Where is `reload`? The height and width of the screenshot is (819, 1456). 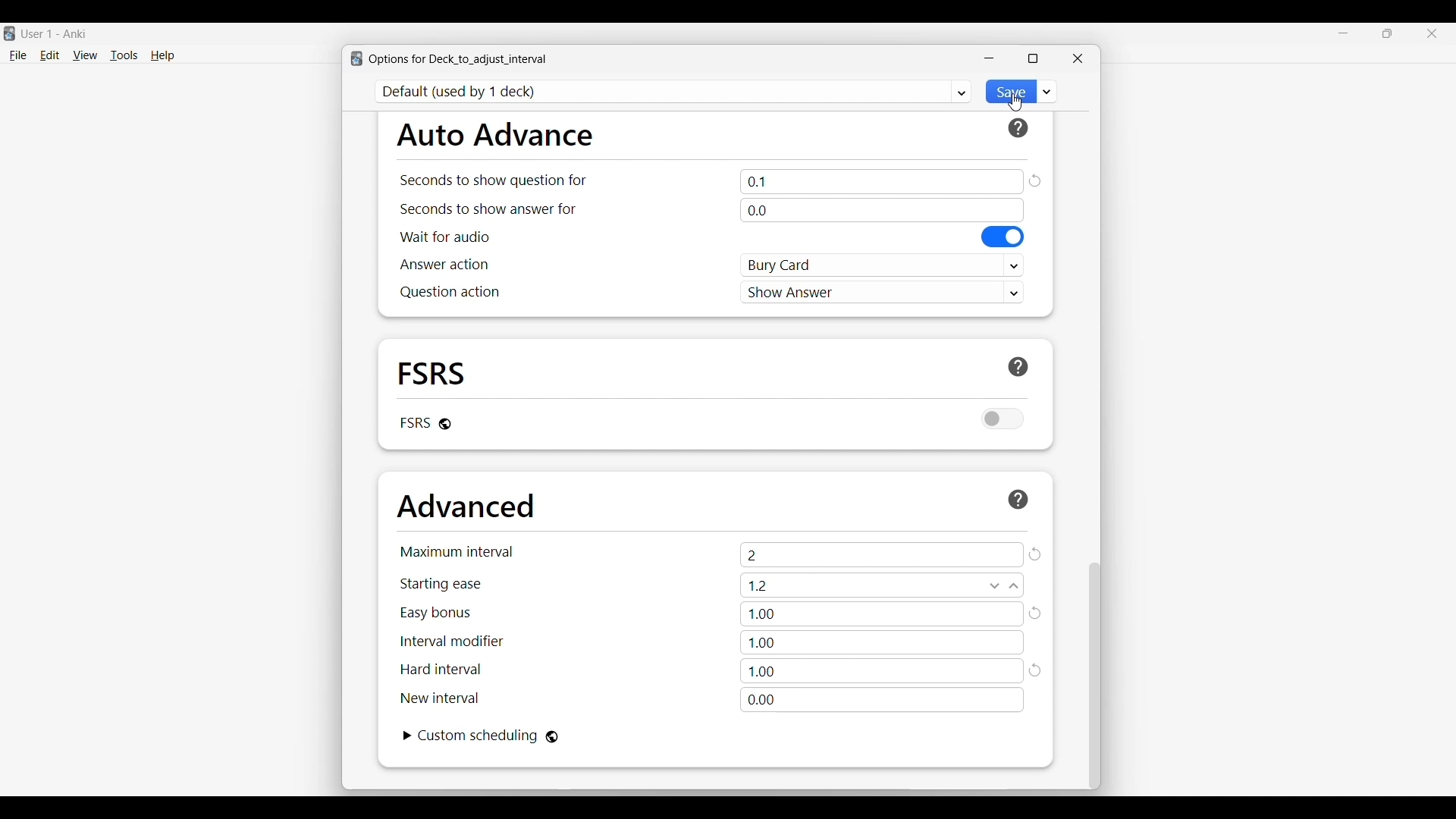
reload is located at coordinates (1037, 613).